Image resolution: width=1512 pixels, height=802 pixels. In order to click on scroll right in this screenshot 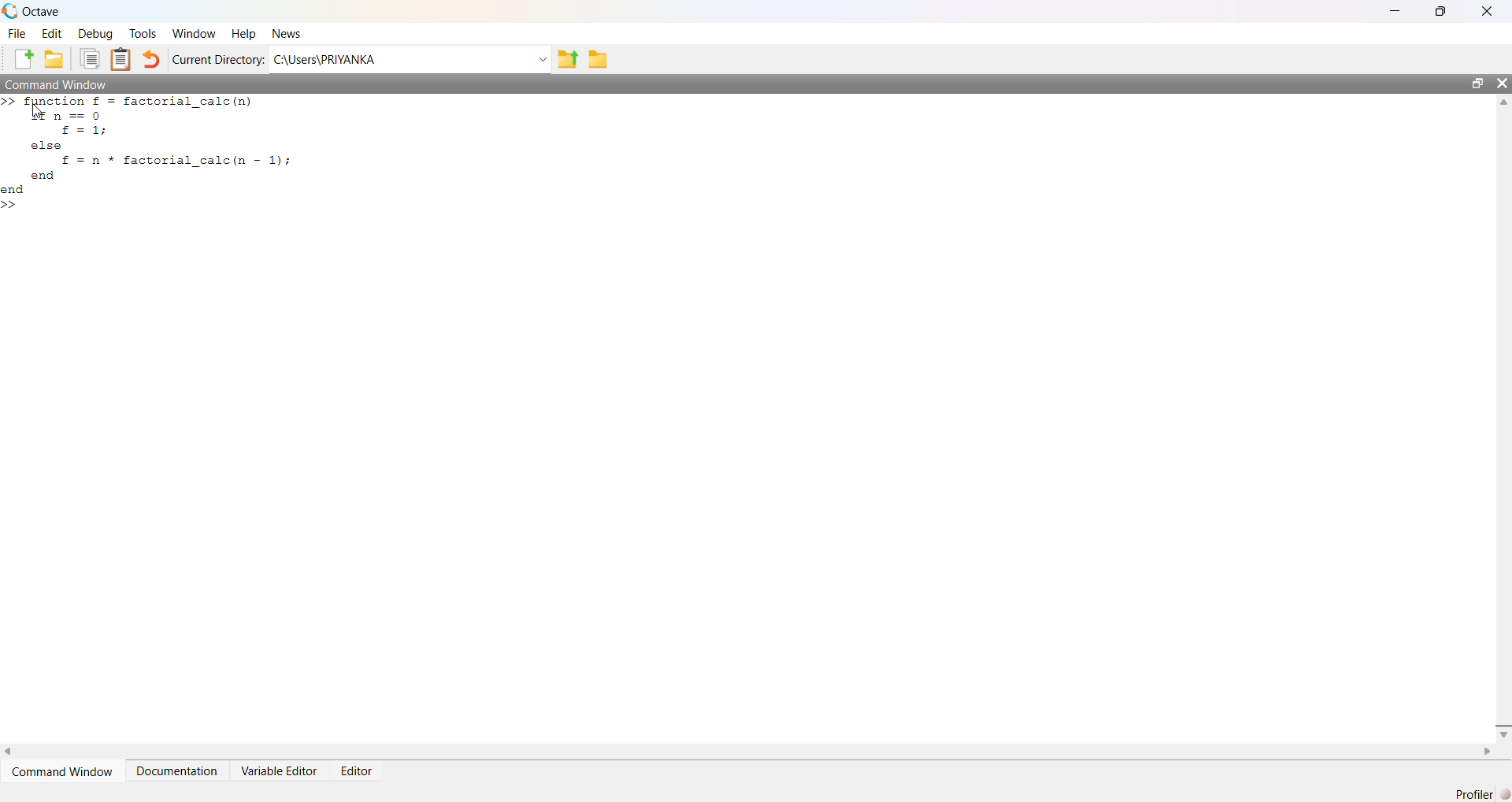, I will do `click(1488, 752)`.